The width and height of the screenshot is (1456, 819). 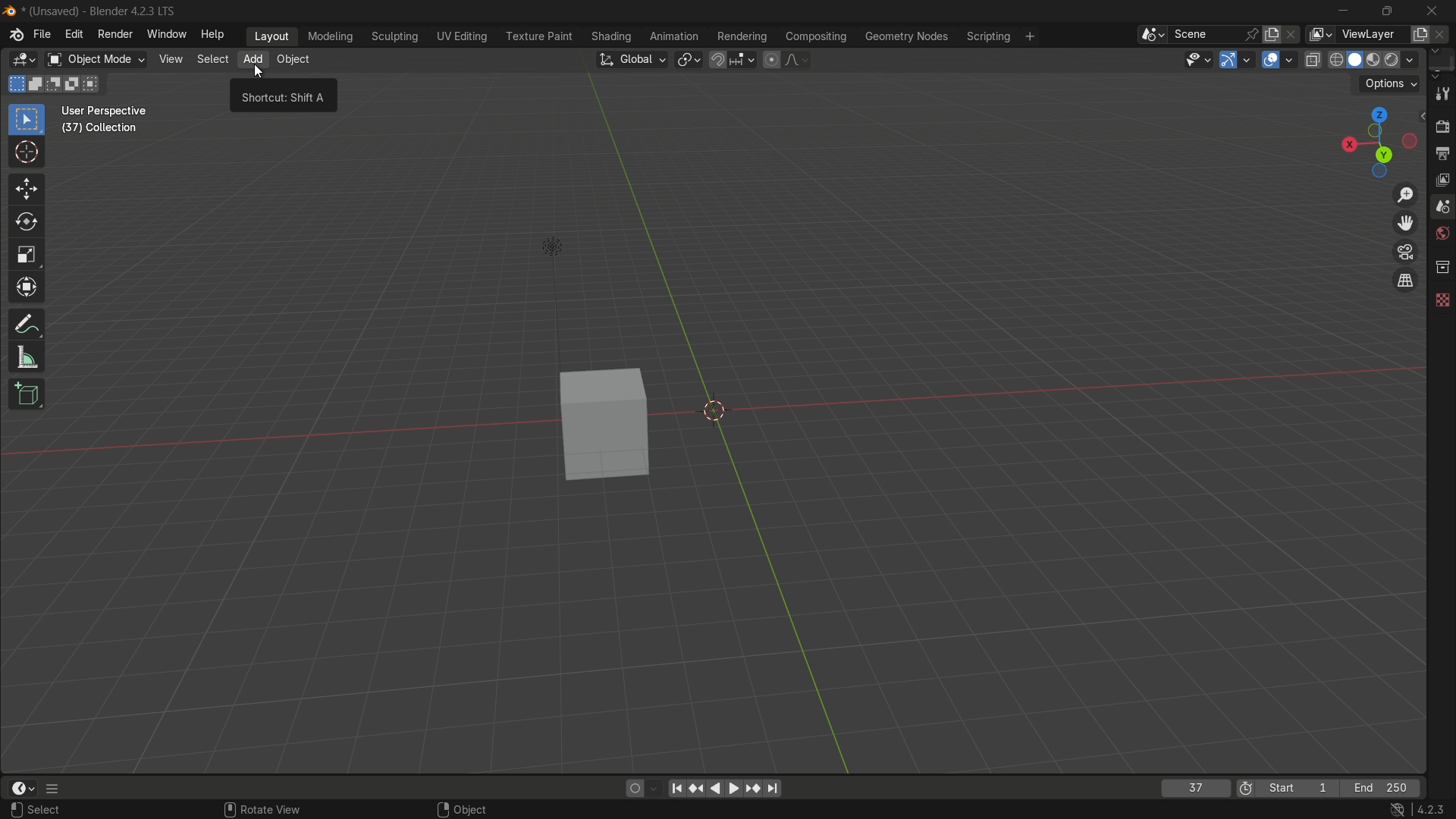 What do you see at coordinates (262, 807) in the screenshot?
I see `rotate view` at bounding box center [262, 807].